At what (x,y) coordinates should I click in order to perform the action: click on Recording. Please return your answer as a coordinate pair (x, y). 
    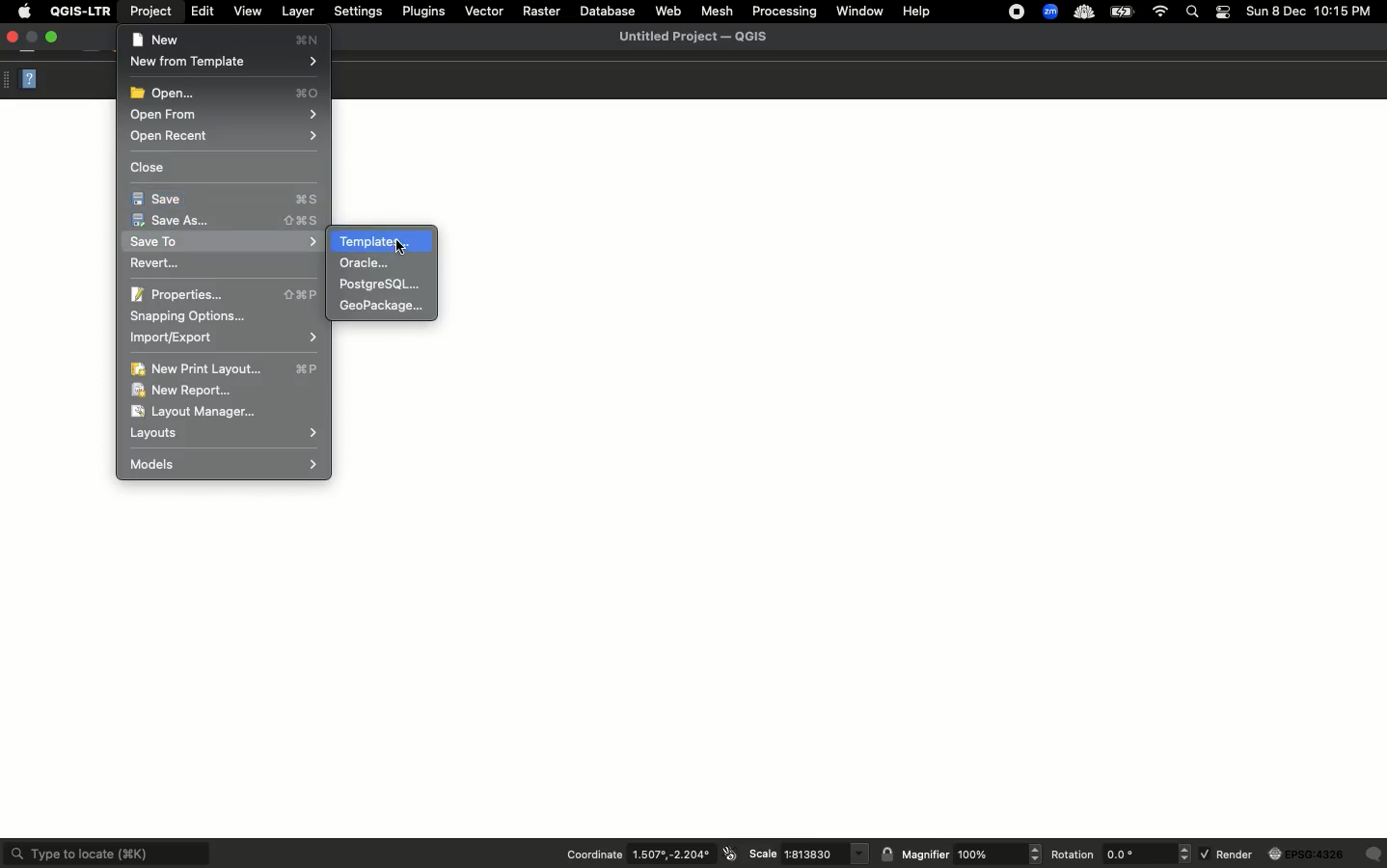
    Looking at the image, I should click on (1015, 12).